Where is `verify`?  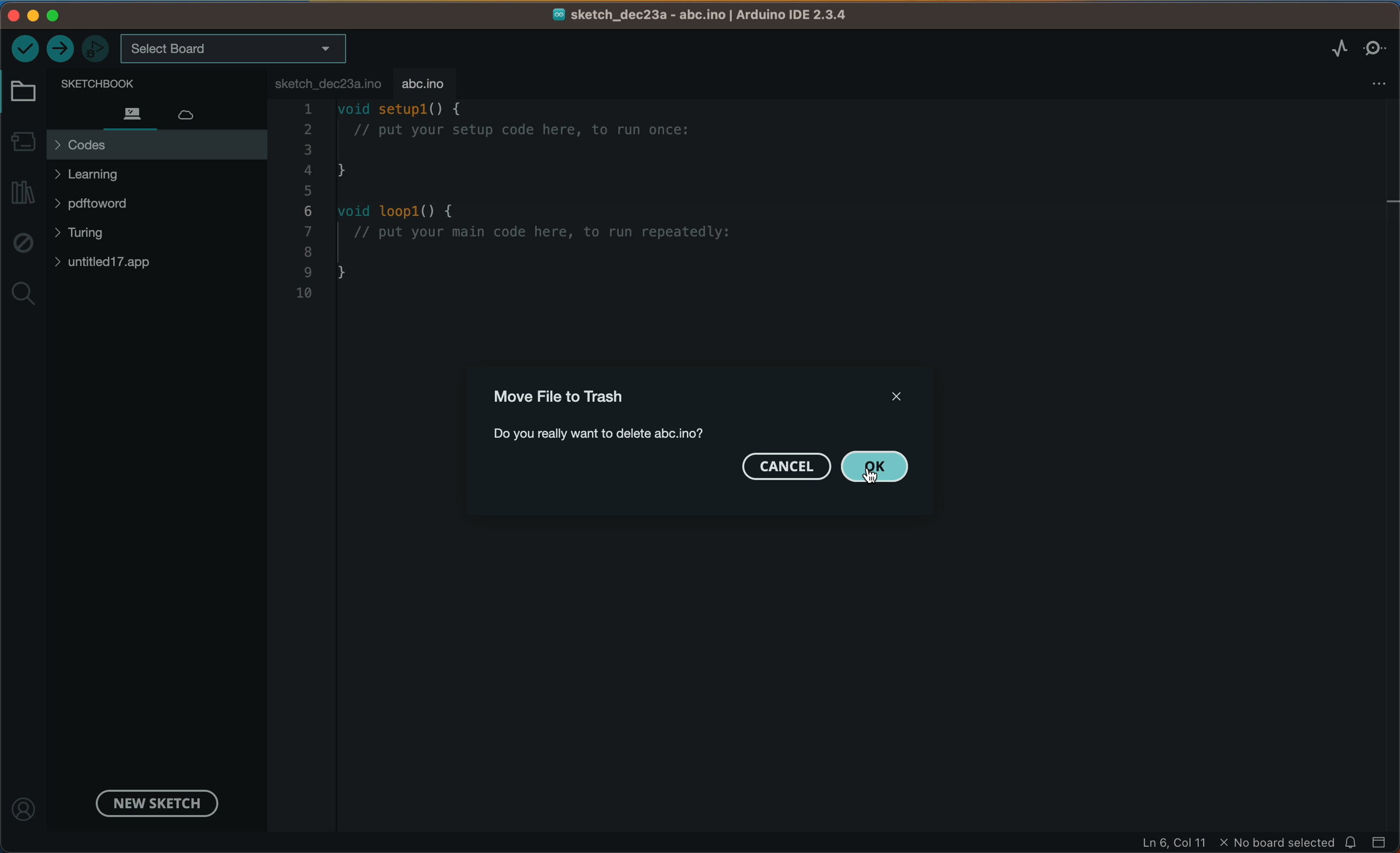 verify is located at coordinates (27, 49).